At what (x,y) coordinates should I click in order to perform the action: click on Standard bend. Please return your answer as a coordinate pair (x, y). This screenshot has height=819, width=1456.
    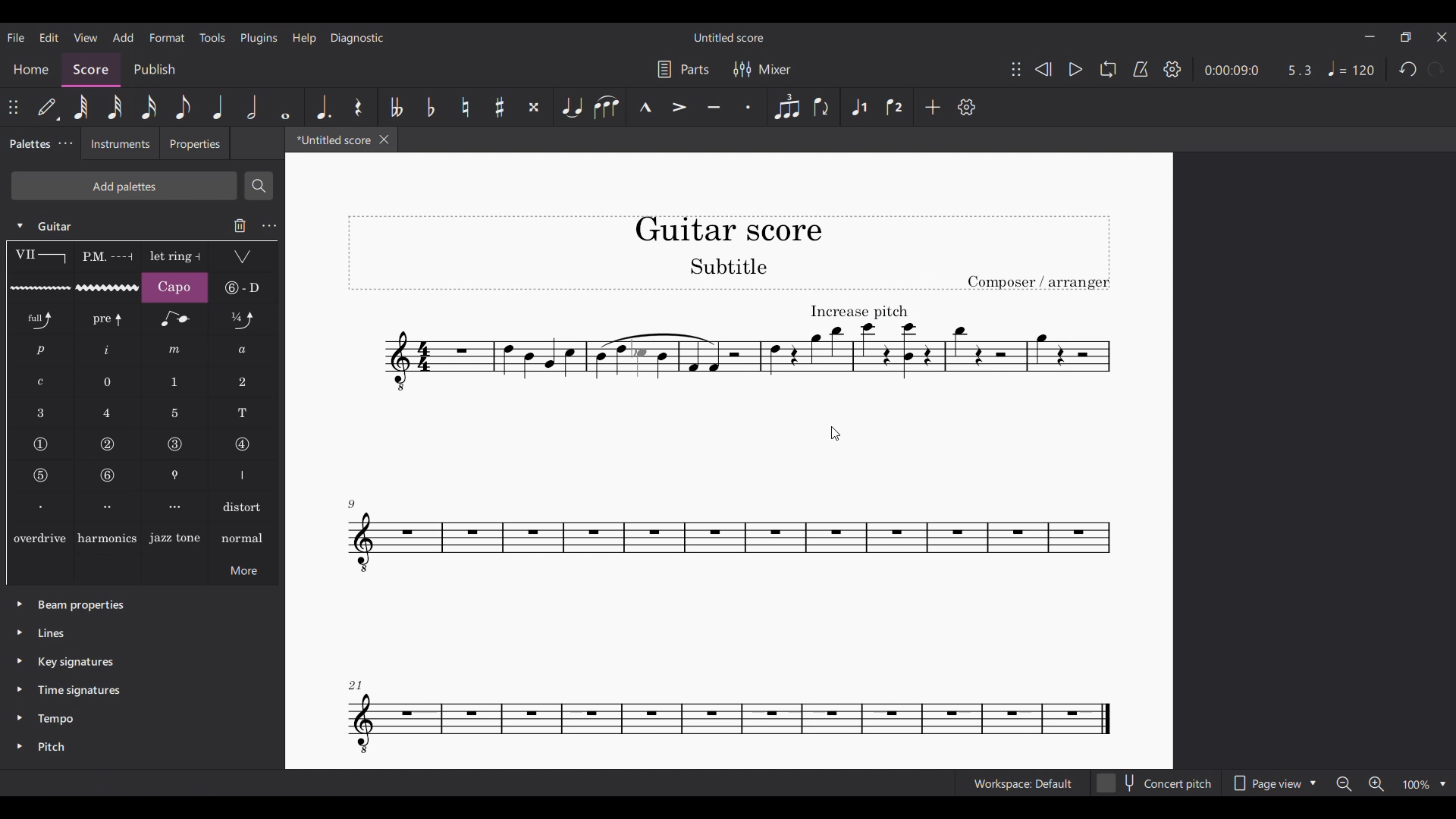
    Looking at the image, I should click on (41, 319).